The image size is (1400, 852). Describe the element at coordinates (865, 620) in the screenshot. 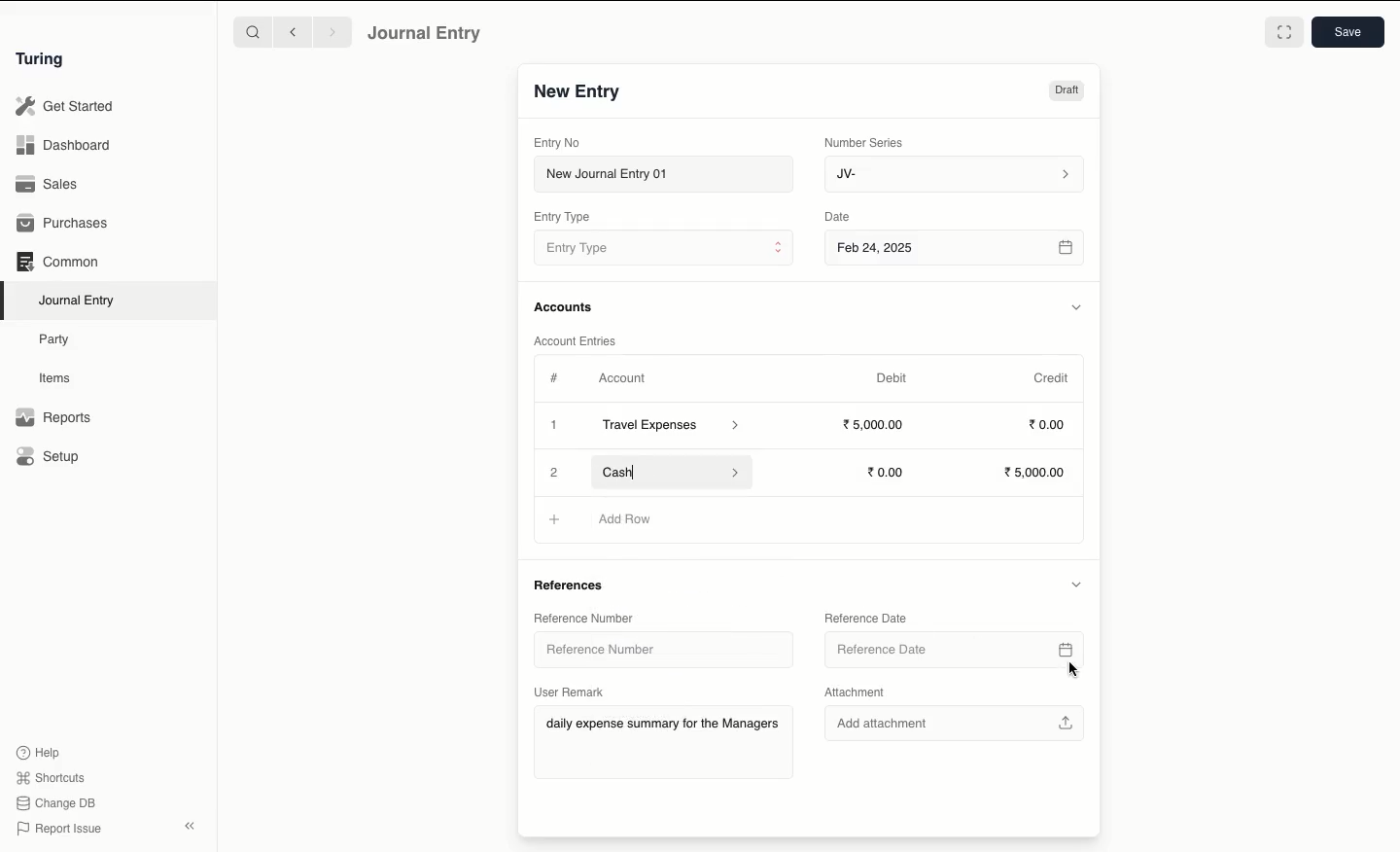

I see `Reference Date` at that location.